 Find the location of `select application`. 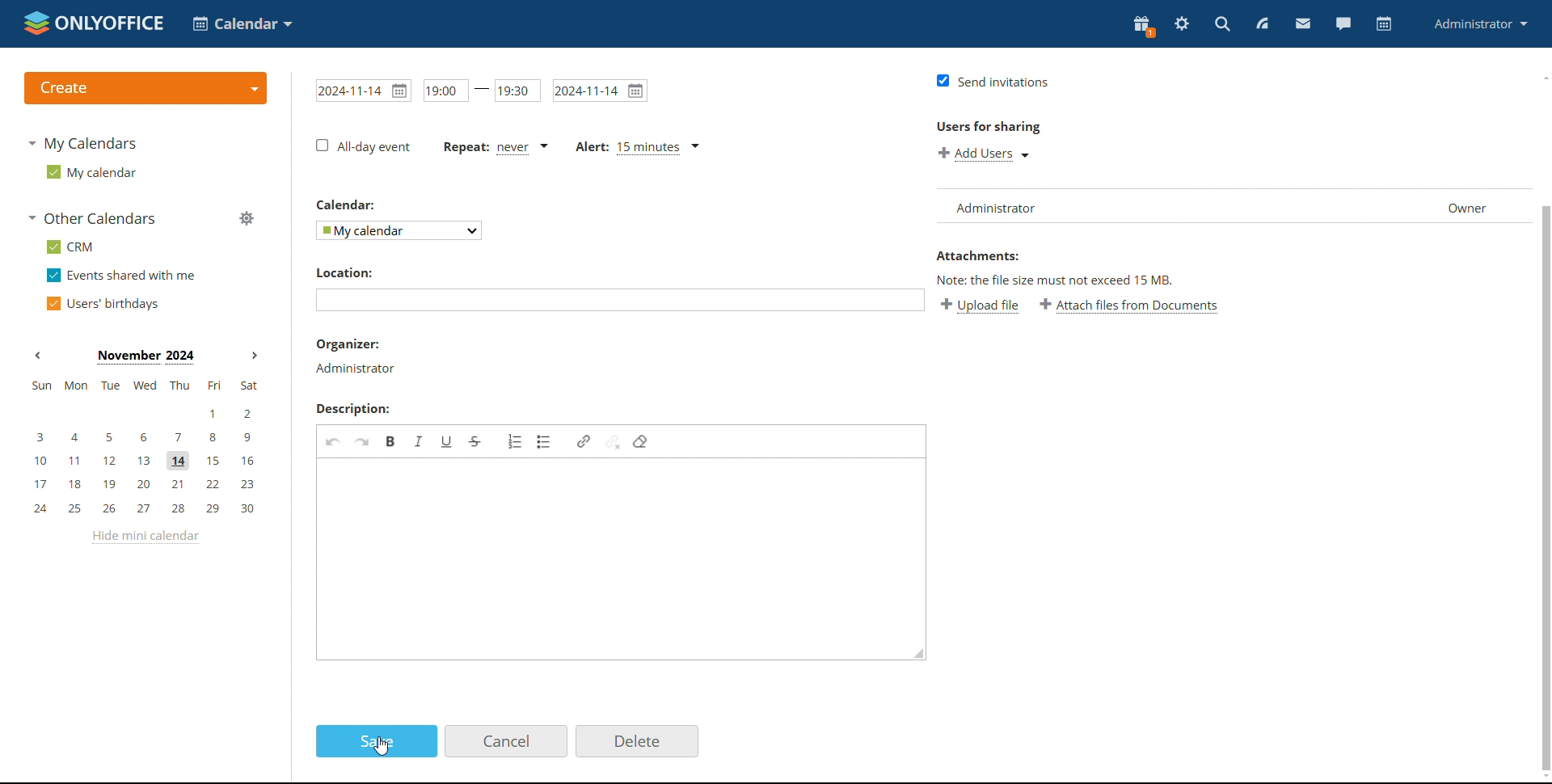

select application is located at coordinates (244, 23).